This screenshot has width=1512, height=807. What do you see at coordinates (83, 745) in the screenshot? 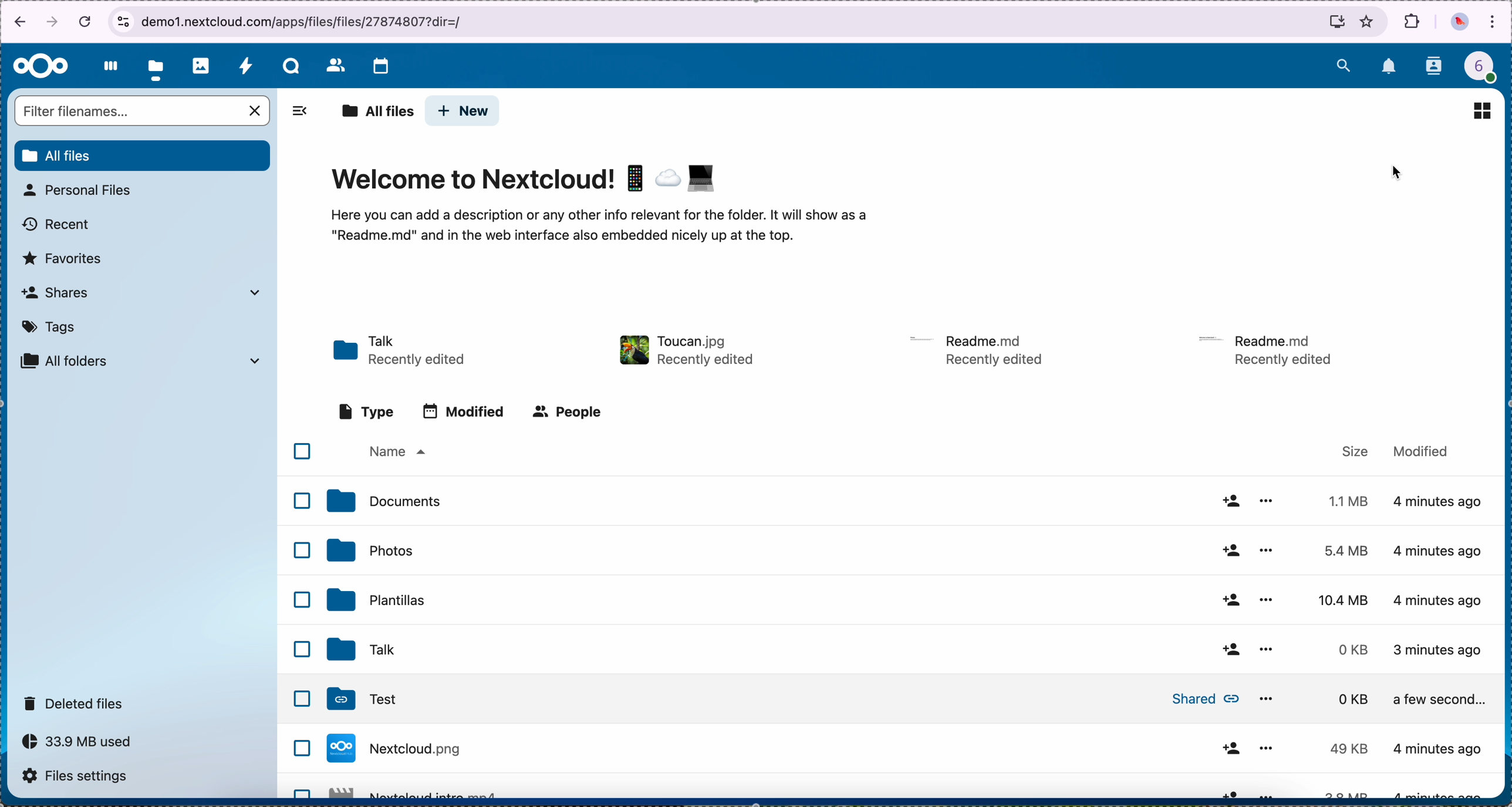
I see `capacity` at bounding box center [83, 745].